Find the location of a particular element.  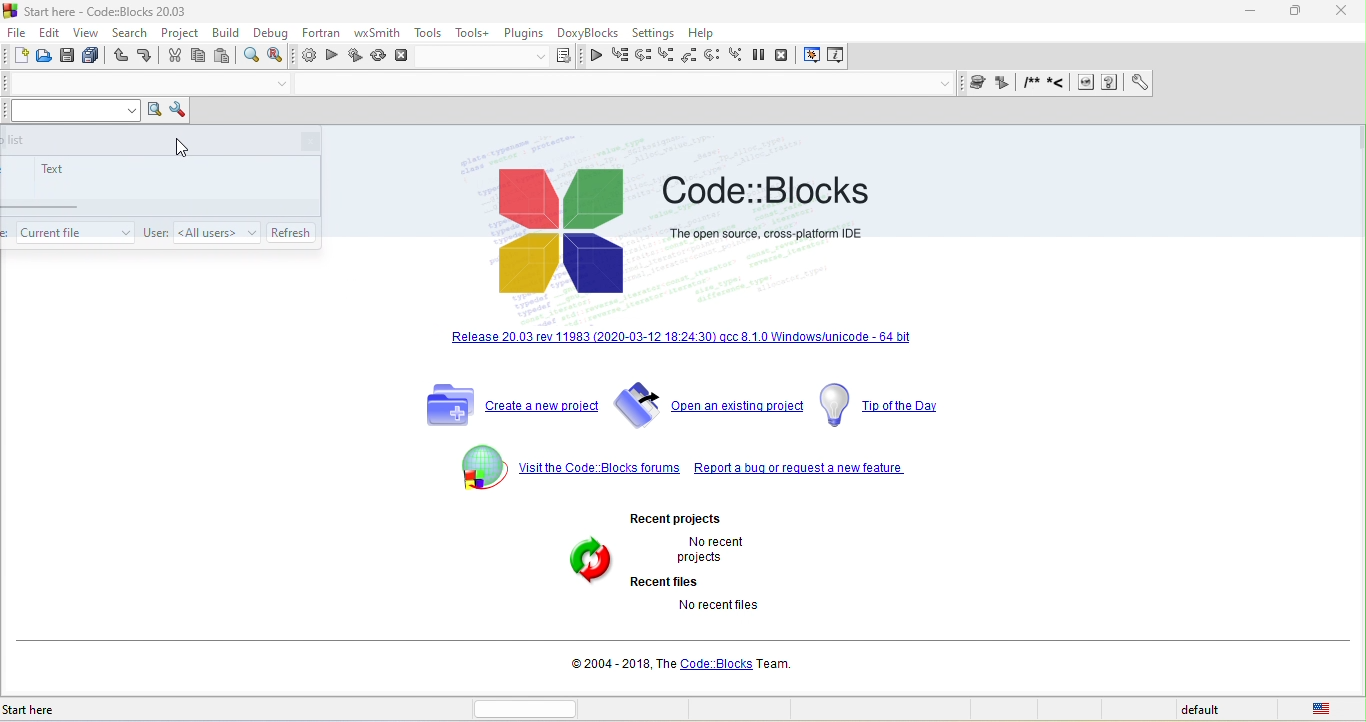

close is located at coordinates (1340, 12).